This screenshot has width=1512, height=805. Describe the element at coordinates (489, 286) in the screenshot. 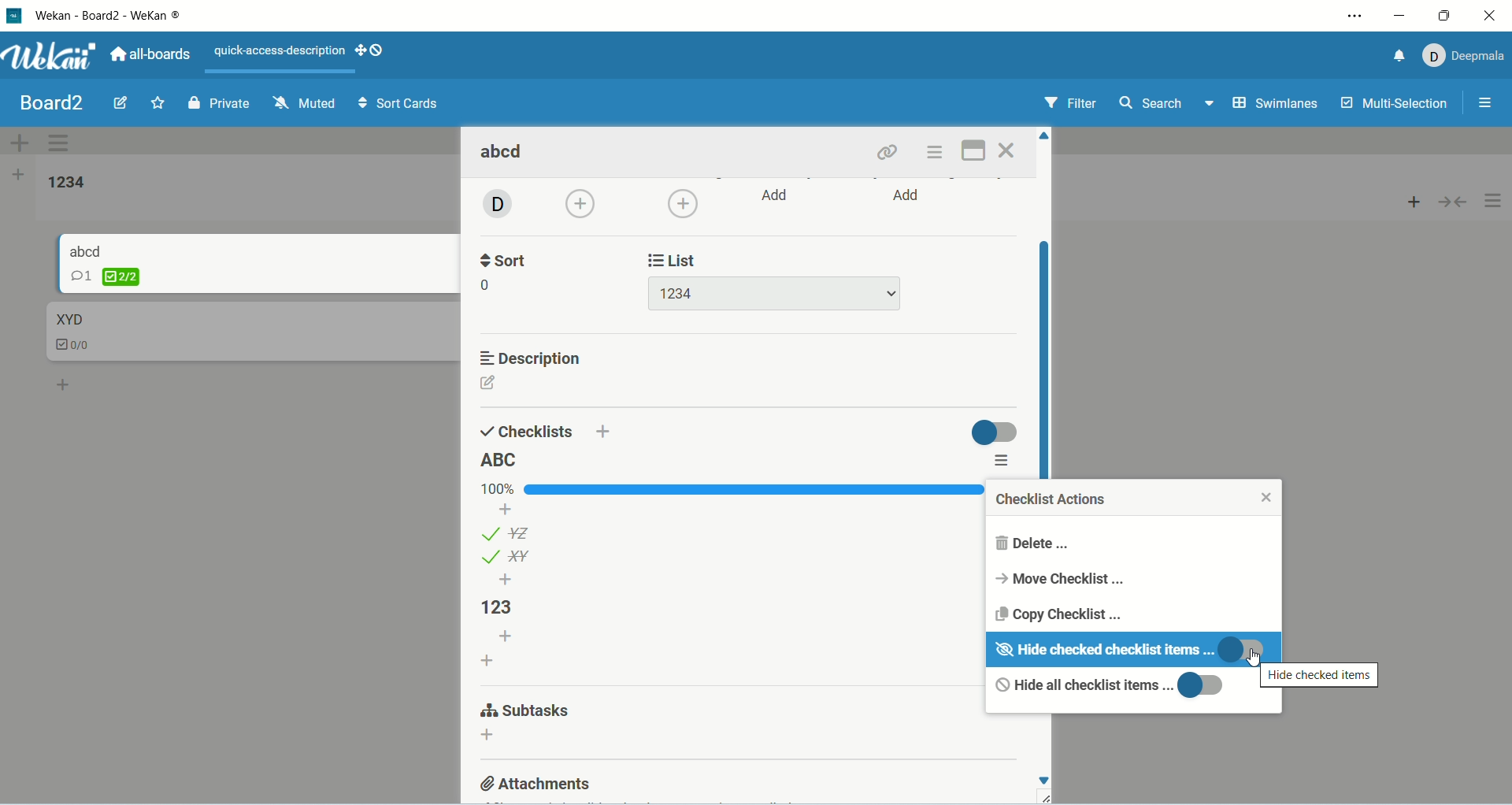

I see `0` at that location.